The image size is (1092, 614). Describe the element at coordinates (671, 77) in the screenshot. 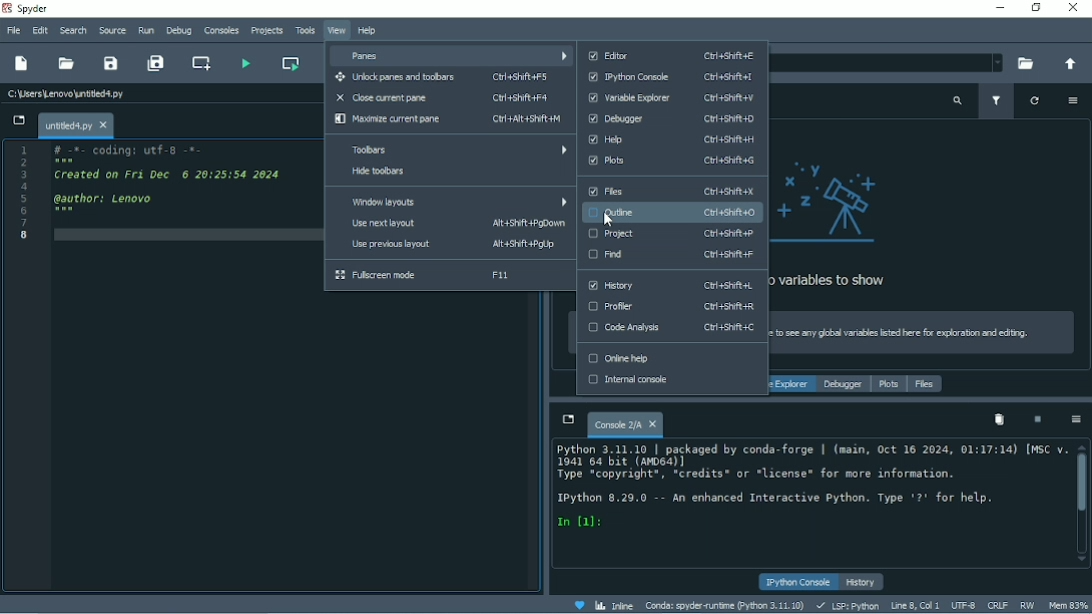

I see `IPhython console` at that location.